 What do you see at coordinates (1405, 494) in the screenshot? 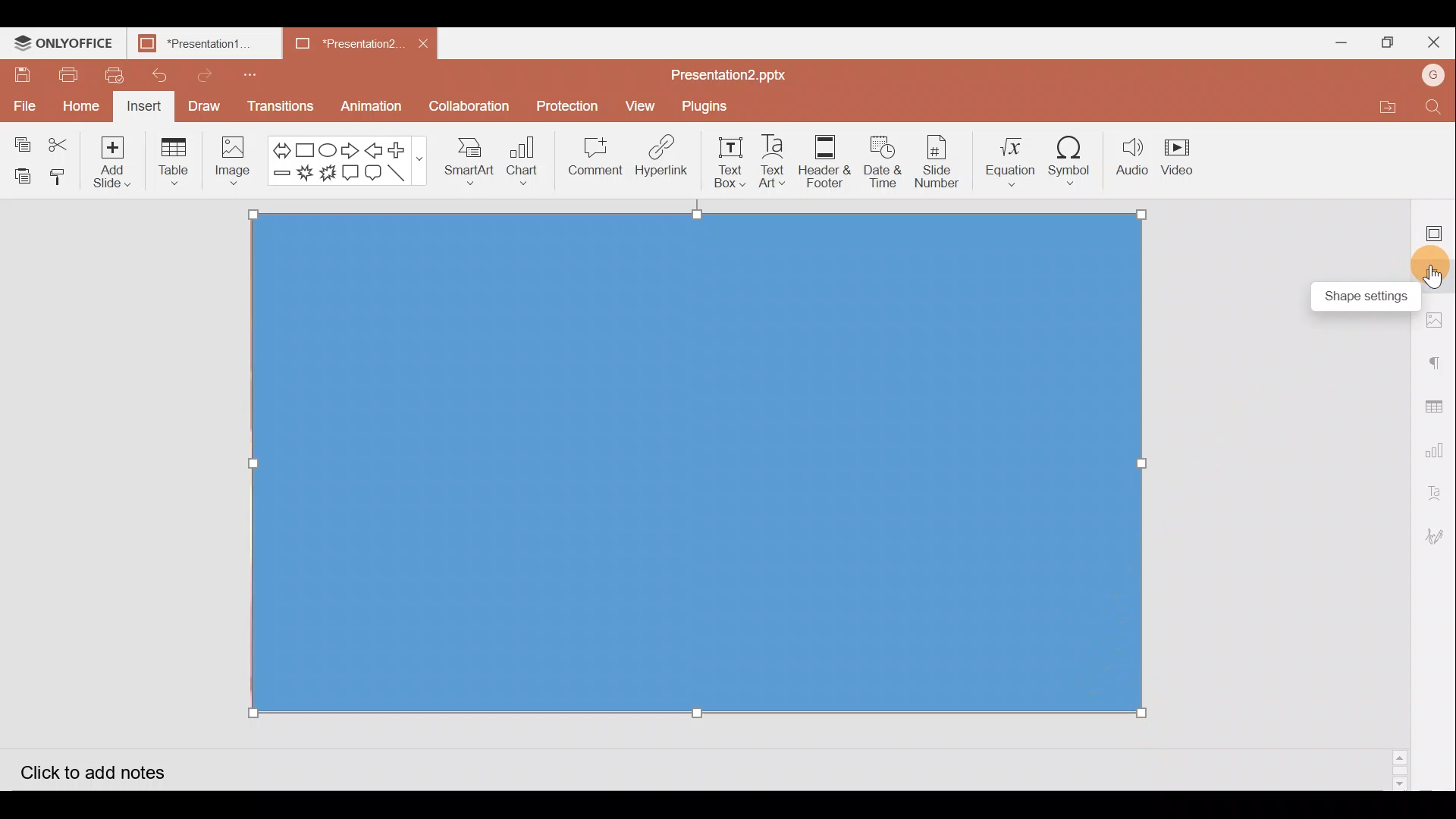
I see `Scroll bar` at bounding box center [1405, 494].